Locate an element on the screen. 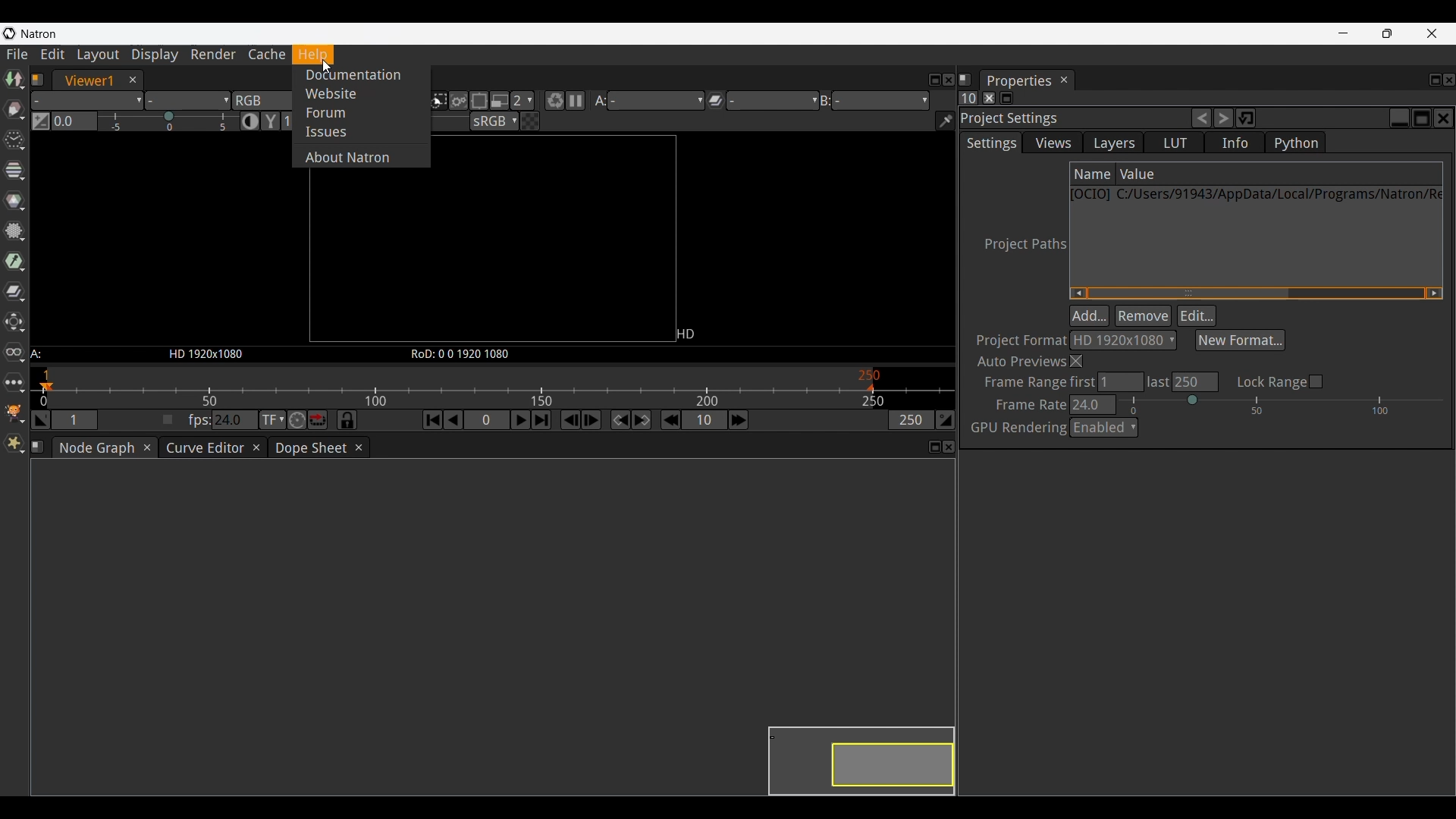  fps: 24.0 is located at coordinates (222, 419).